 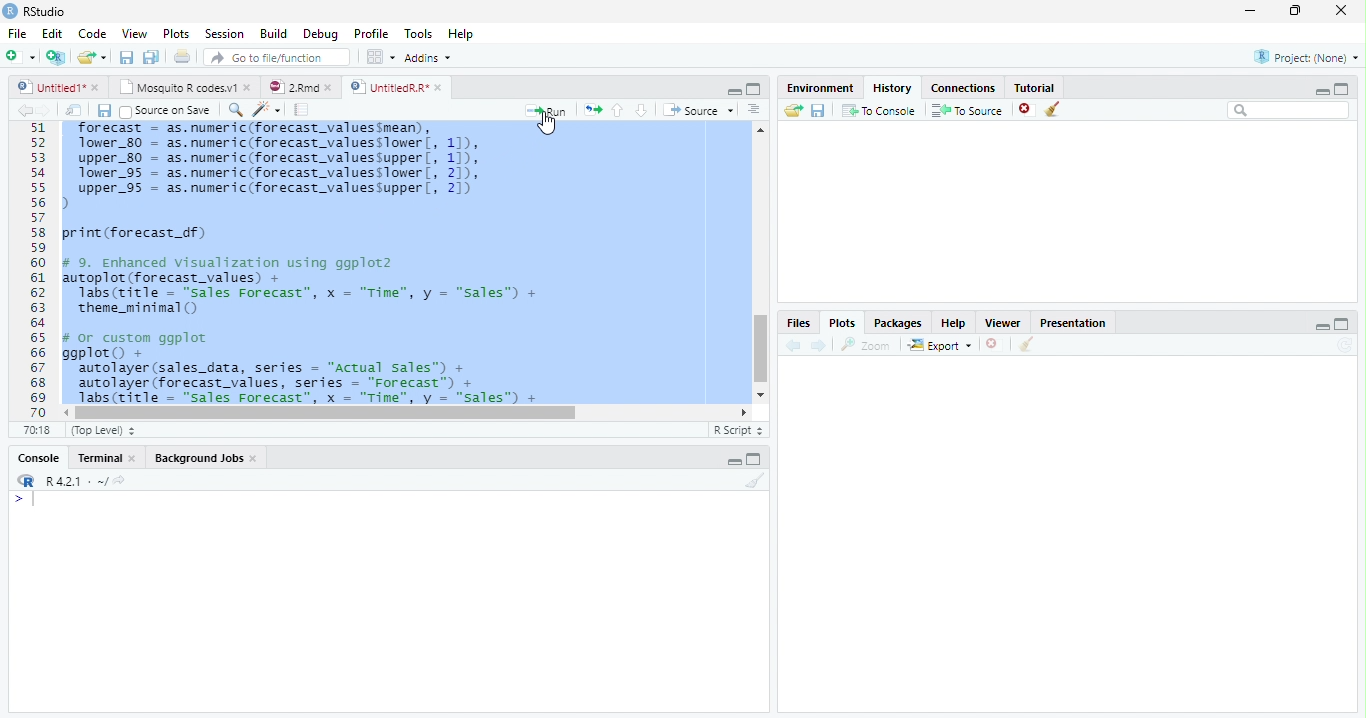 What do you see at coordinates (379, 56) in the screenshot?
I see `Workplace panes` at bounding box center [379, 56].